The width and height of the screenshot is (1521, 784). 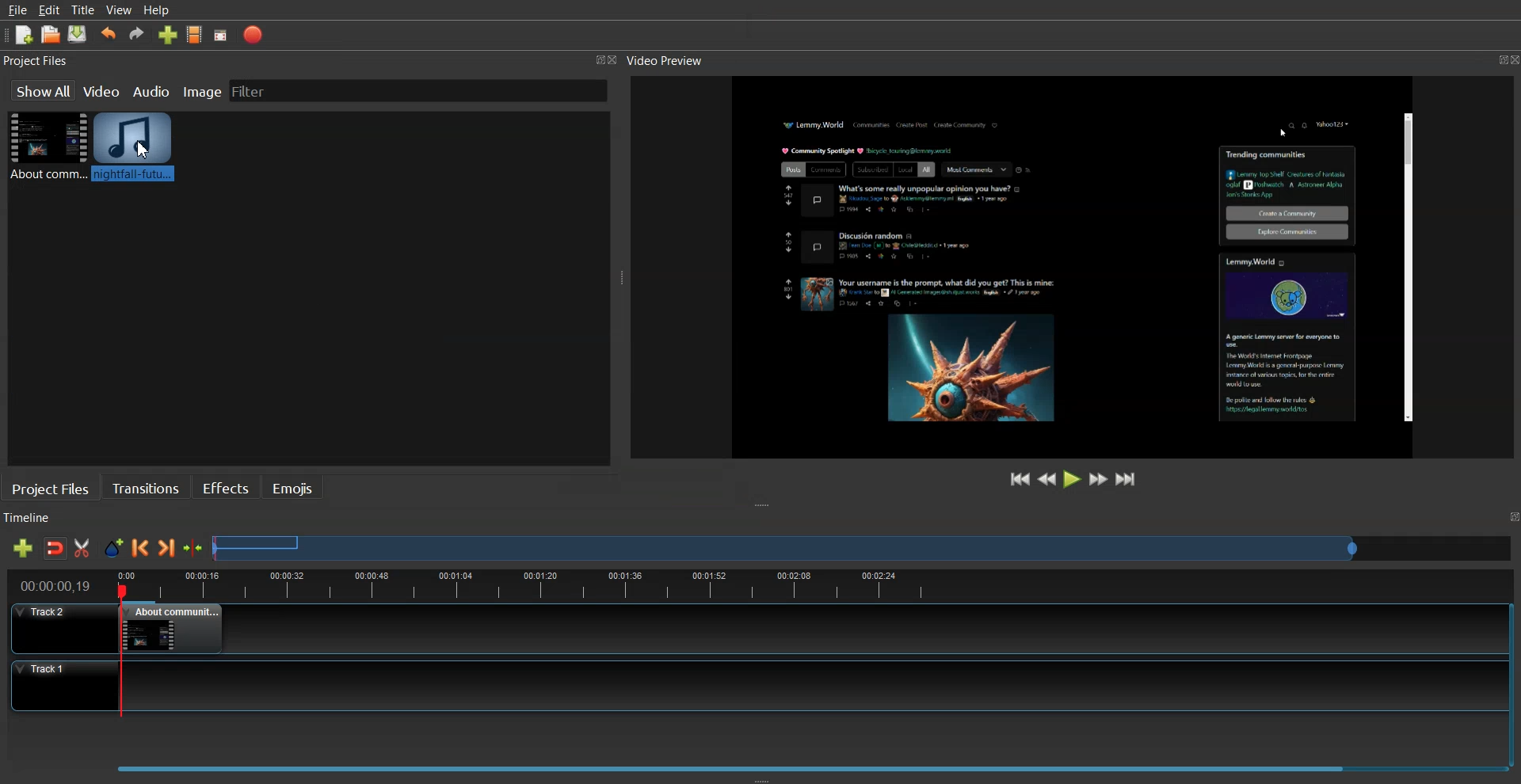 I want to click on Window Adjuster, so click(x=762, y=778).